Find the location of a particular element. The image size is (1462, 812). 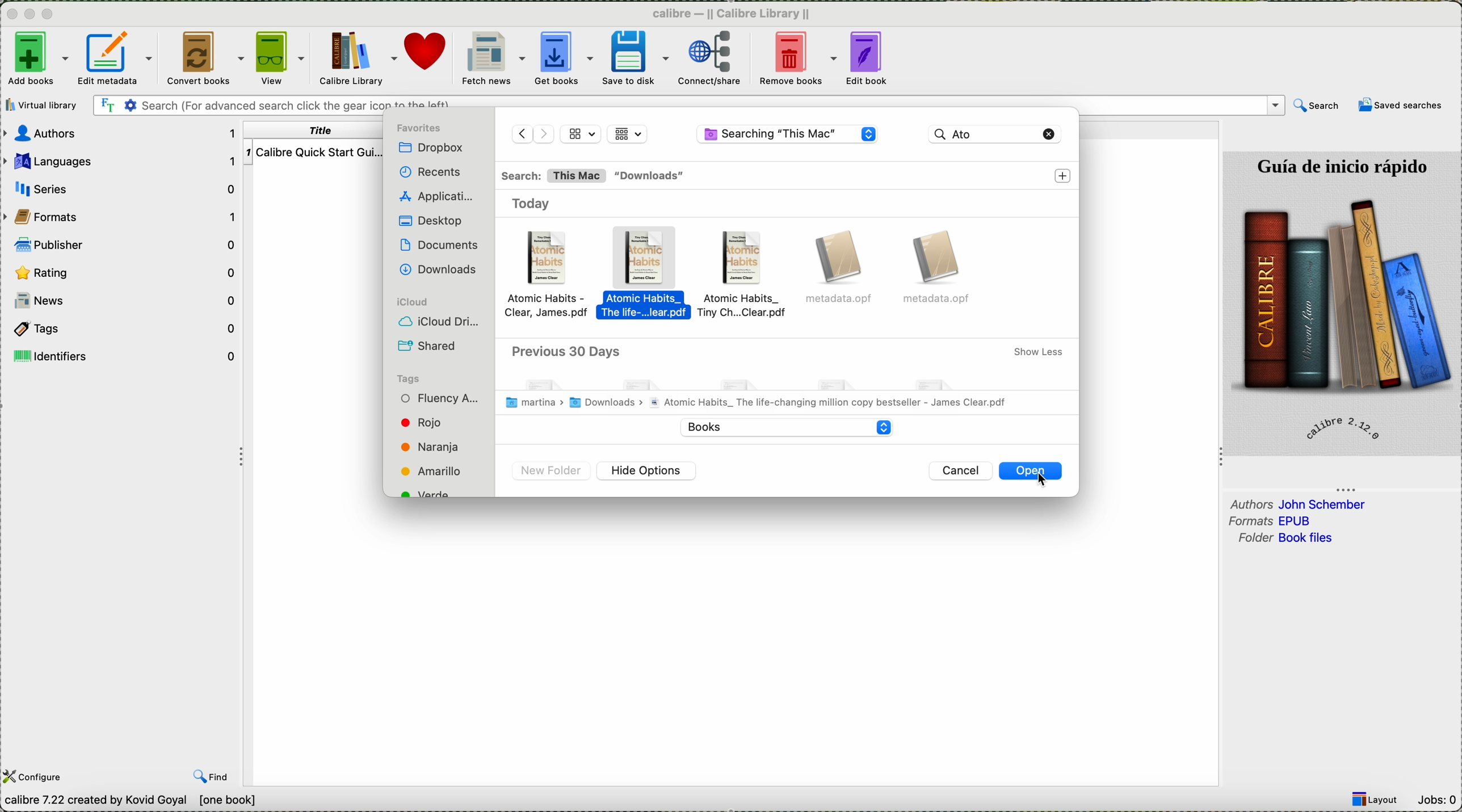

documents is located at coordinates (439, 243).